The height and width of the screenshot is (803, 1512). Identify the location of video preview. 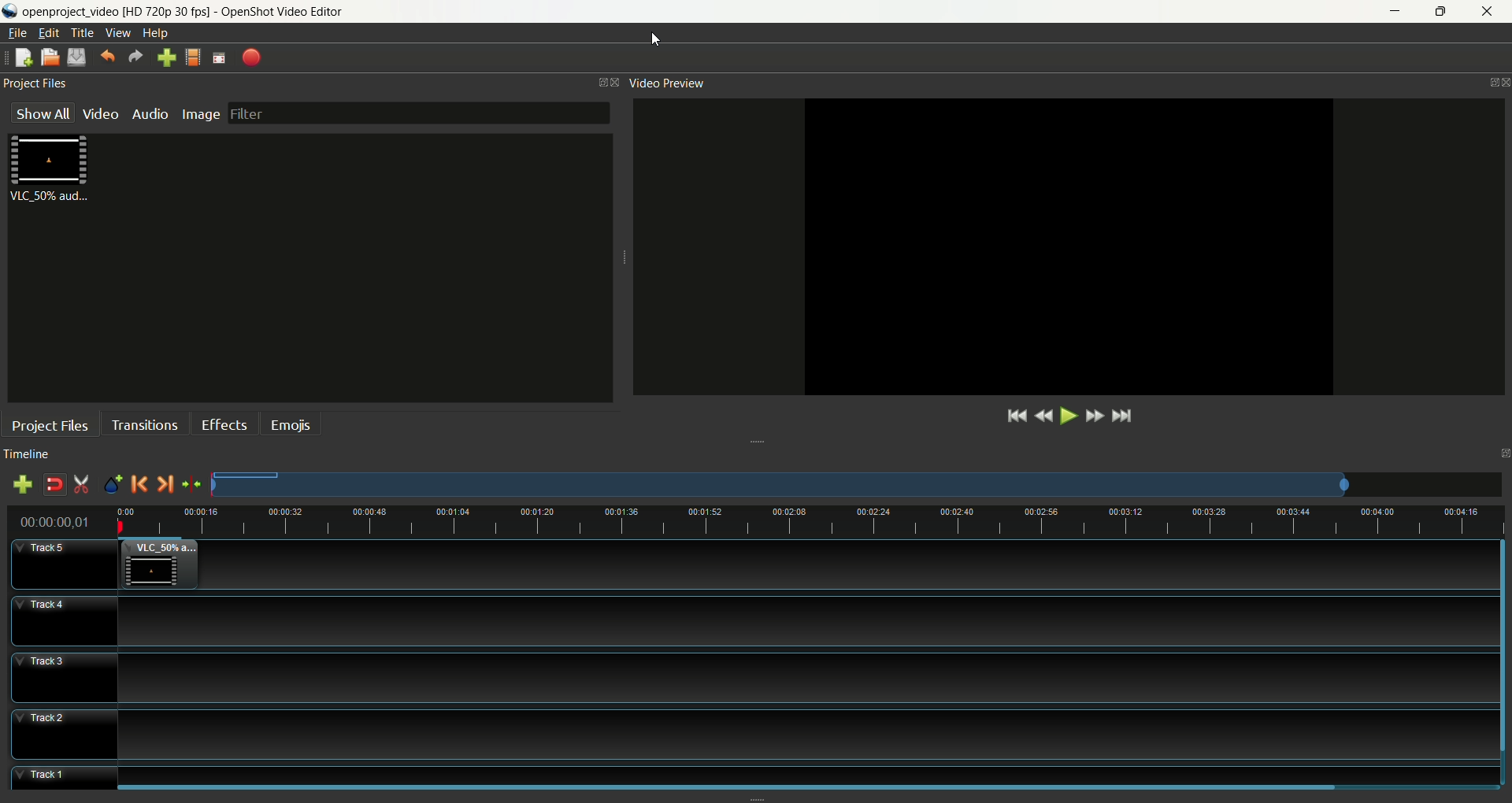
(665, 83).